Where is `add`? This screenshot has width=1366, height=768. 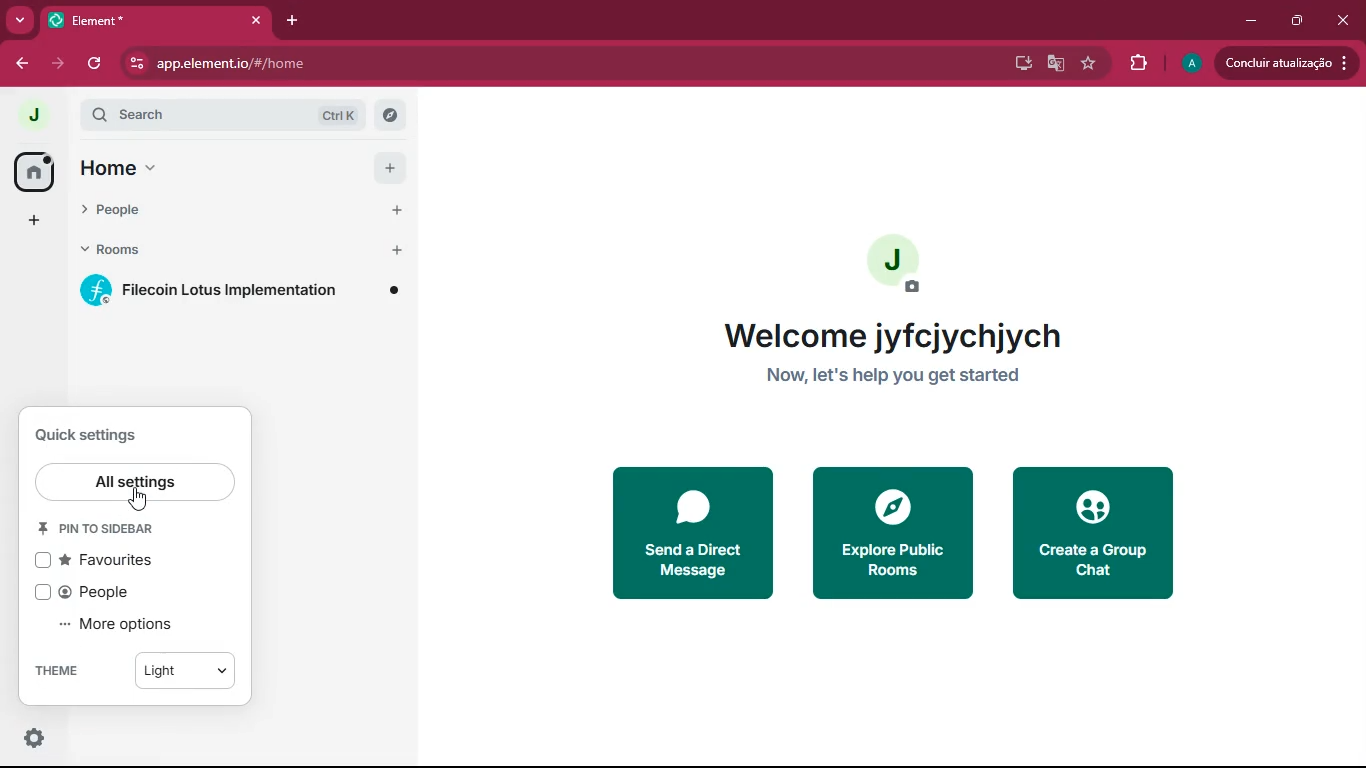 add is located at coordinates (31, 222).